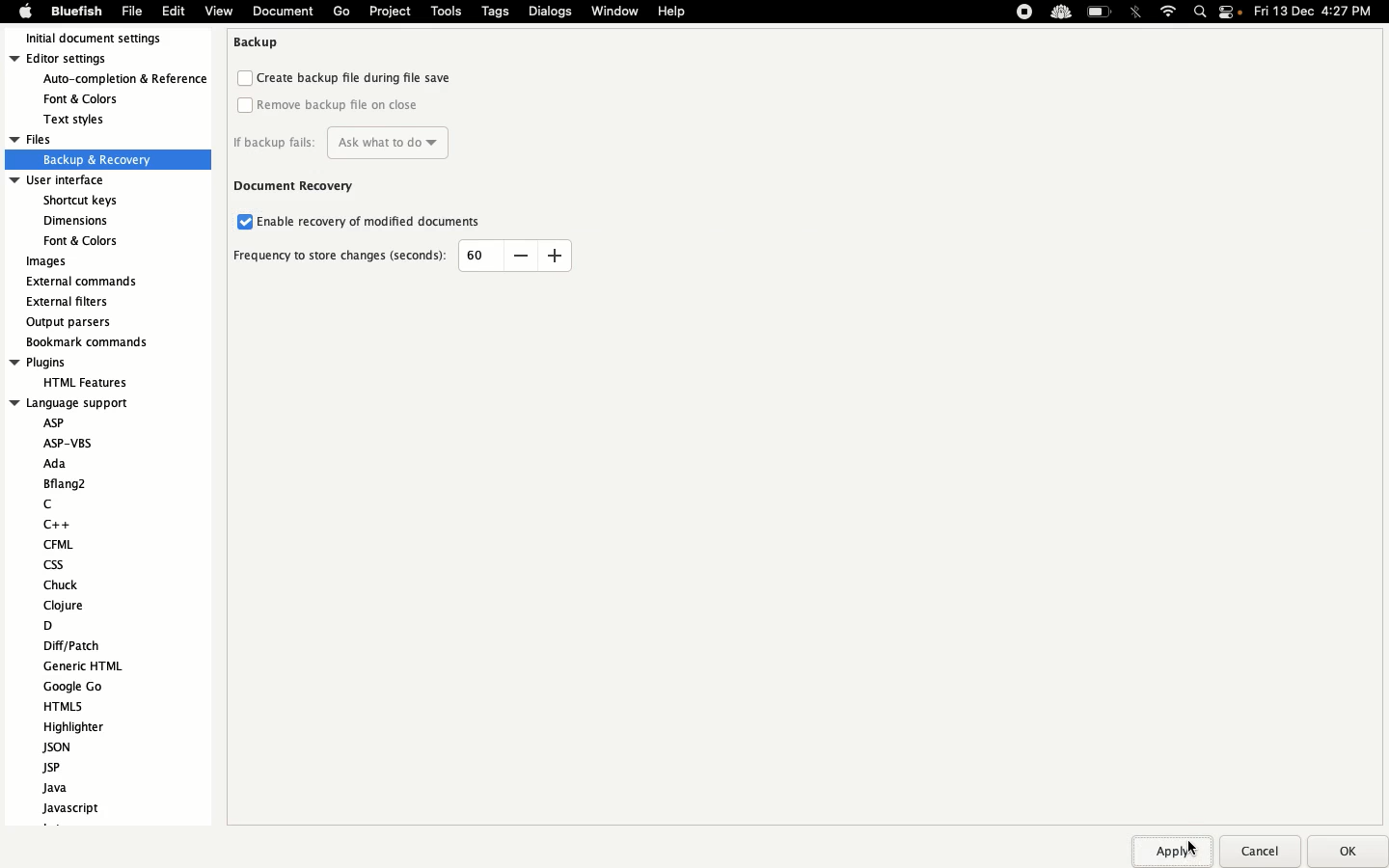  I want to click on Cursor on Apply, so click(1193, 847).